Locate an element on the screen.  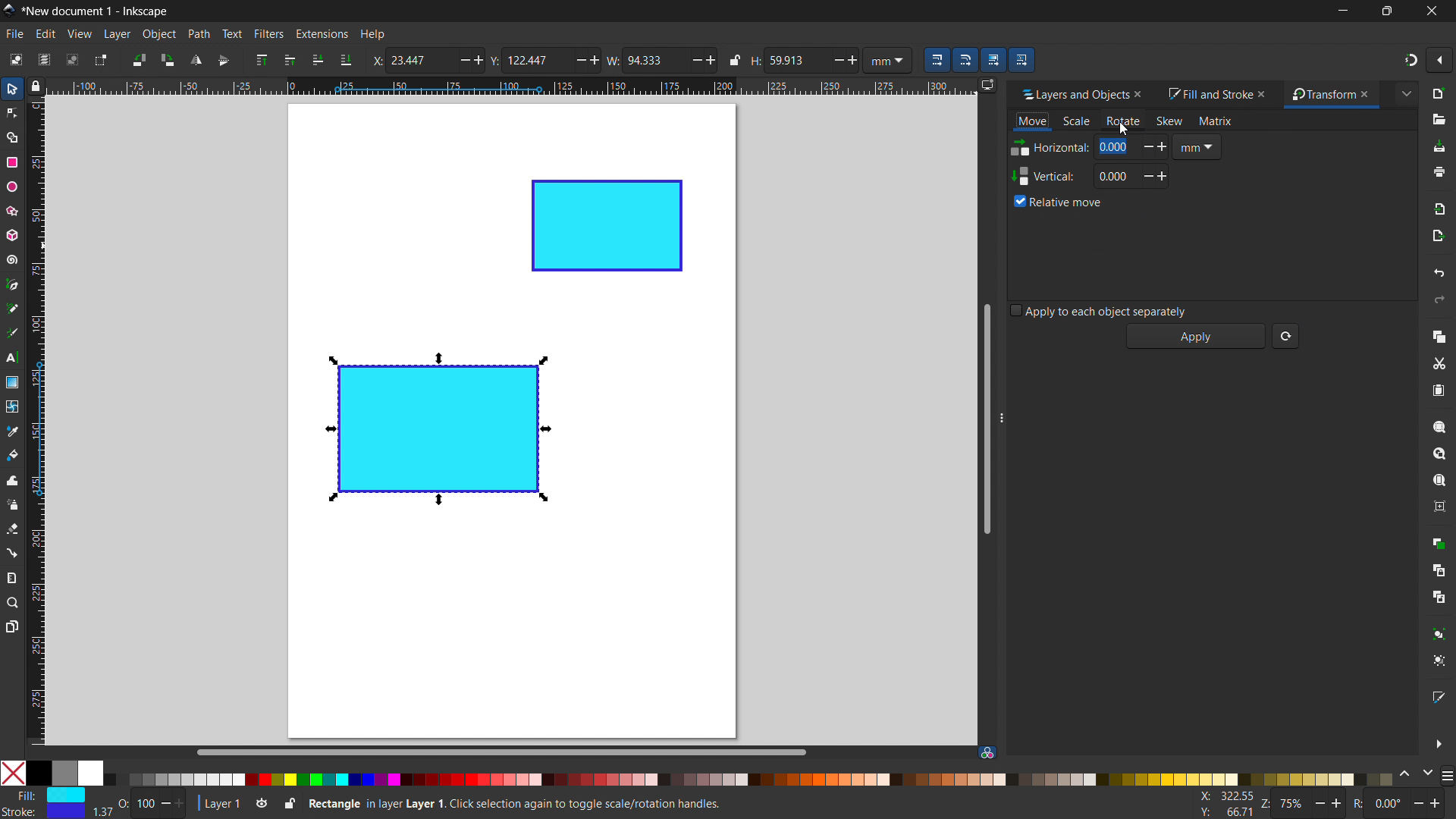
raise is located at coordinates (290, 60).